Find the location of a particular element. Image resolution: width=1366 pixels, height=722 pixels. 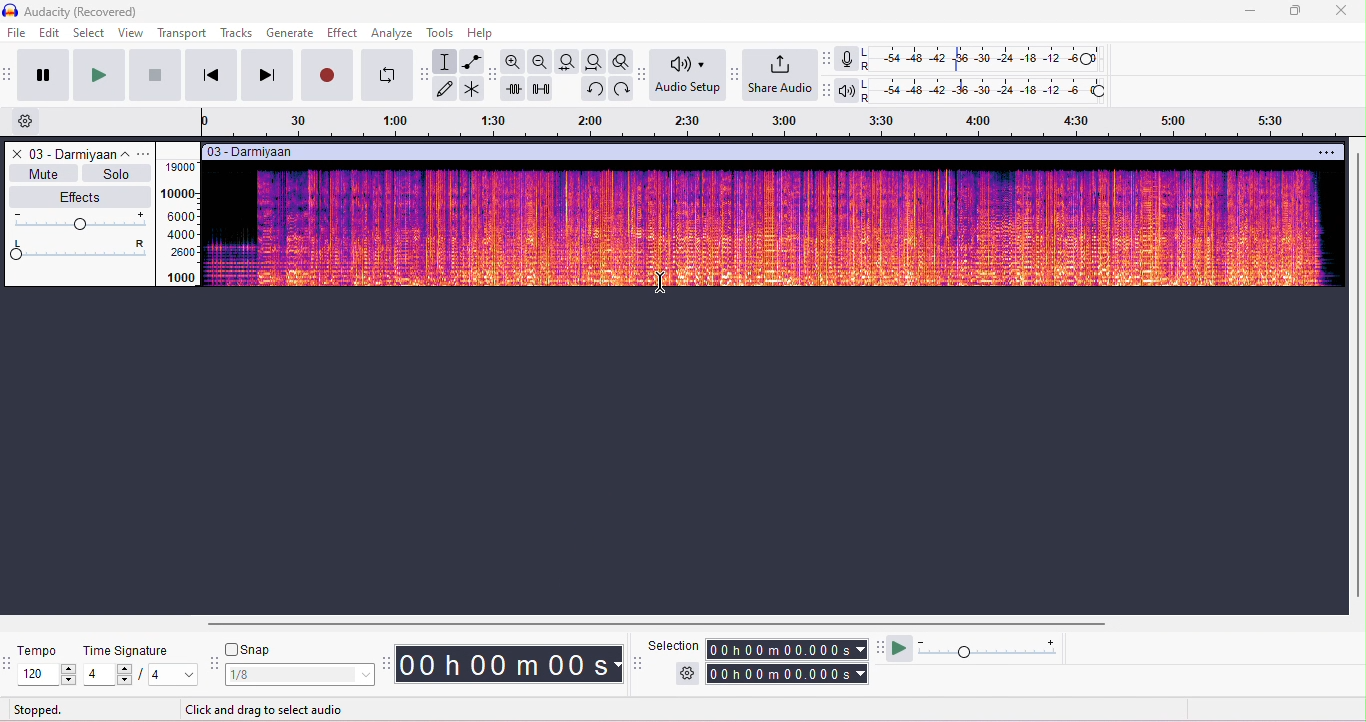

play is located at coordinates (97, 75).